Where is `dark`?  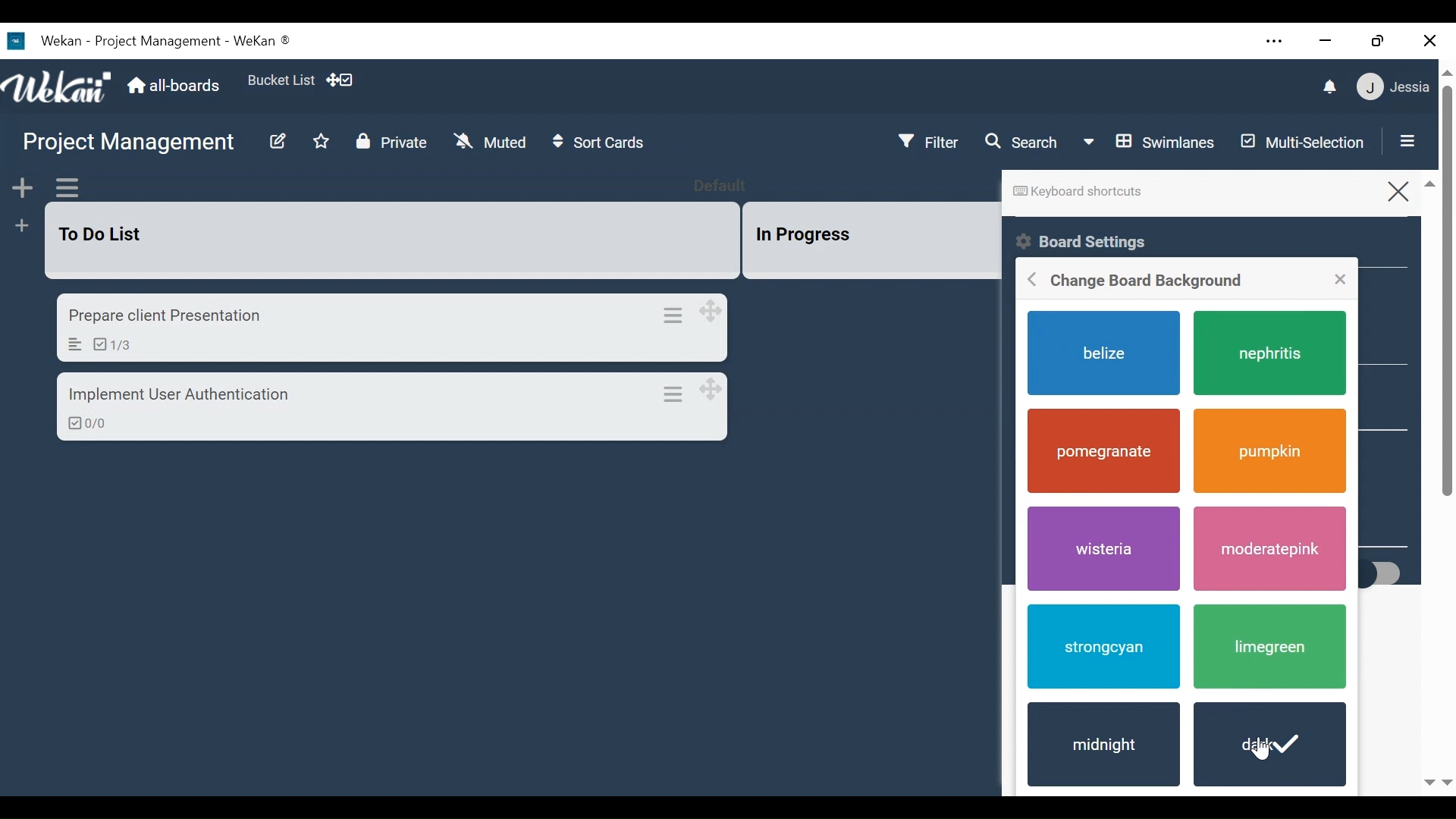
dark is located at coordinates (1267, 743).